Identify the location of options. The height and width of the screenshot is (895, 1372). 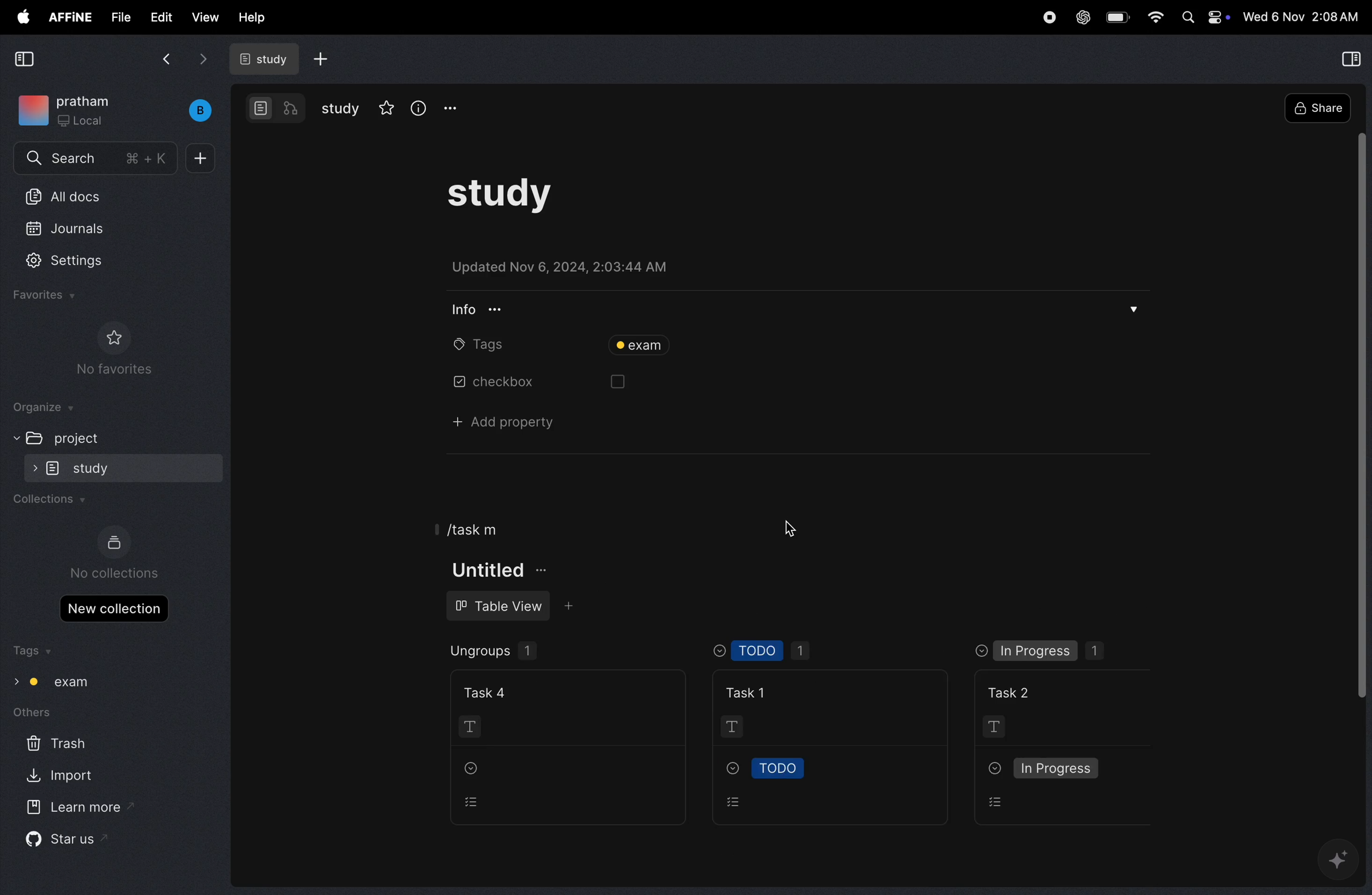
(1002, 807).